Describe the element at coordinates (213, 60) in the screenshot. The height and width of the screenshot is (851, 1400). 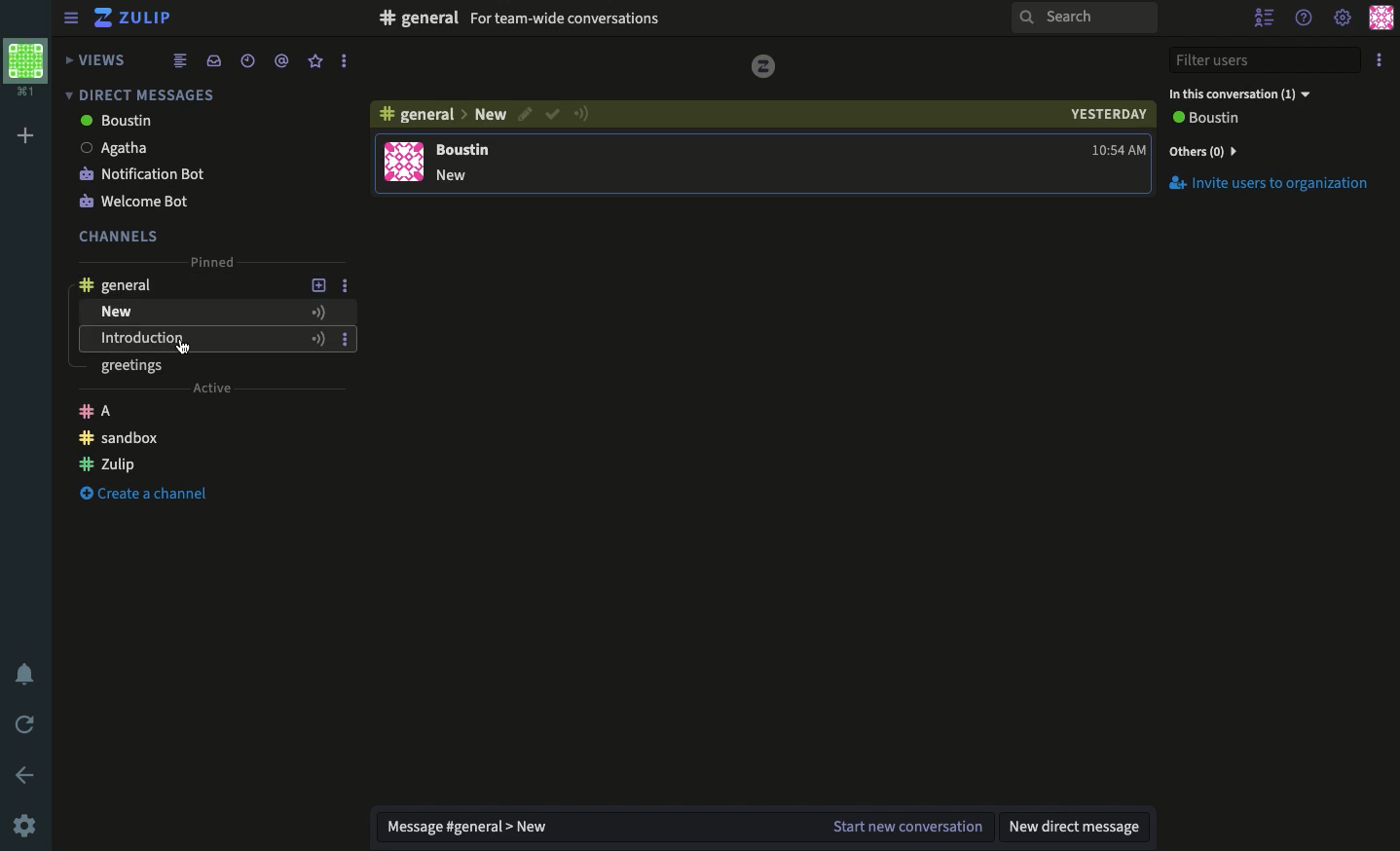
I see `Inbox` at that location.